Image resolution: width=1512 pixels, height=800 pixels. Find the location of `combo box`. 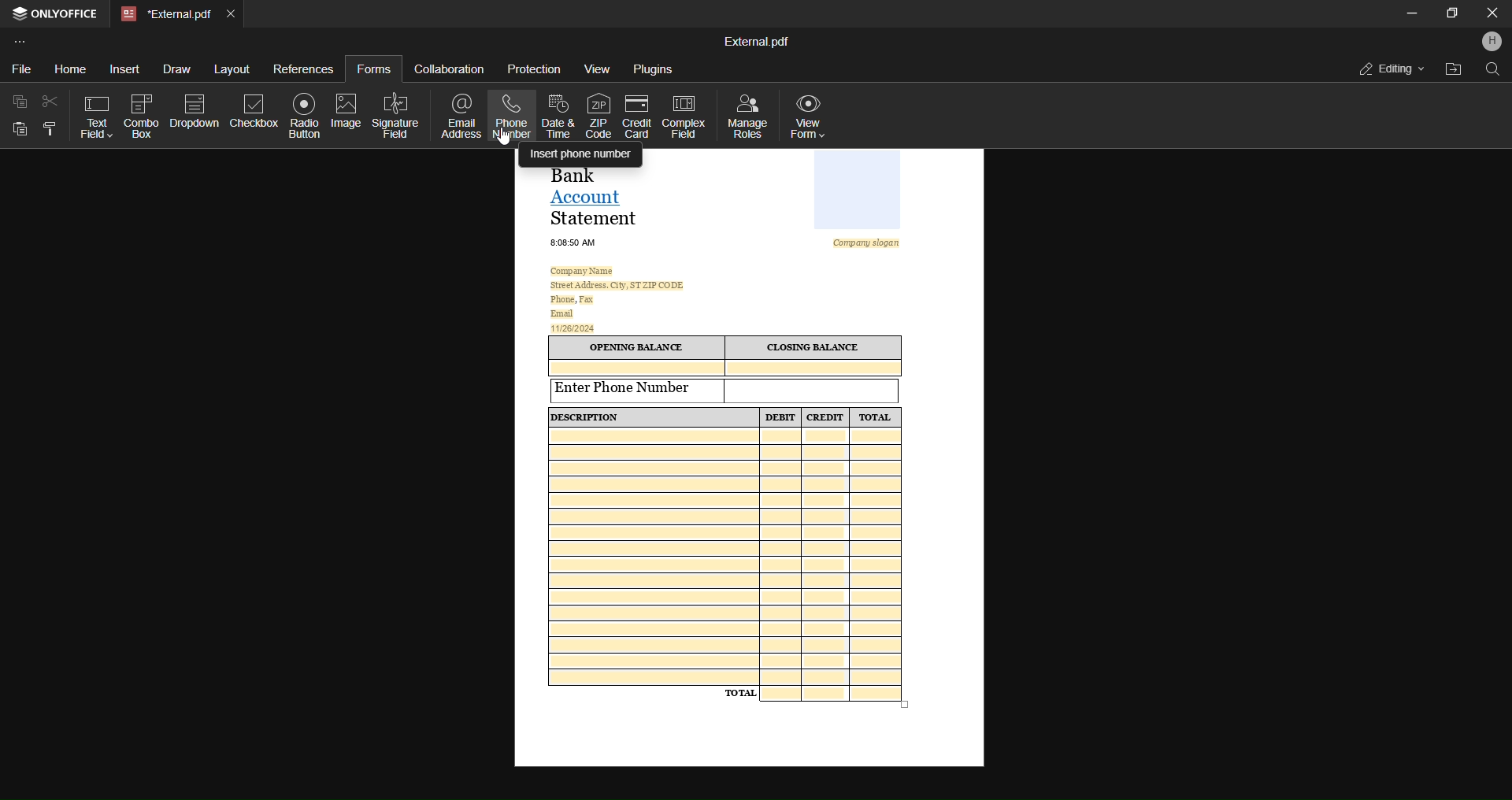

combo box is located at coordinates (140, 113).